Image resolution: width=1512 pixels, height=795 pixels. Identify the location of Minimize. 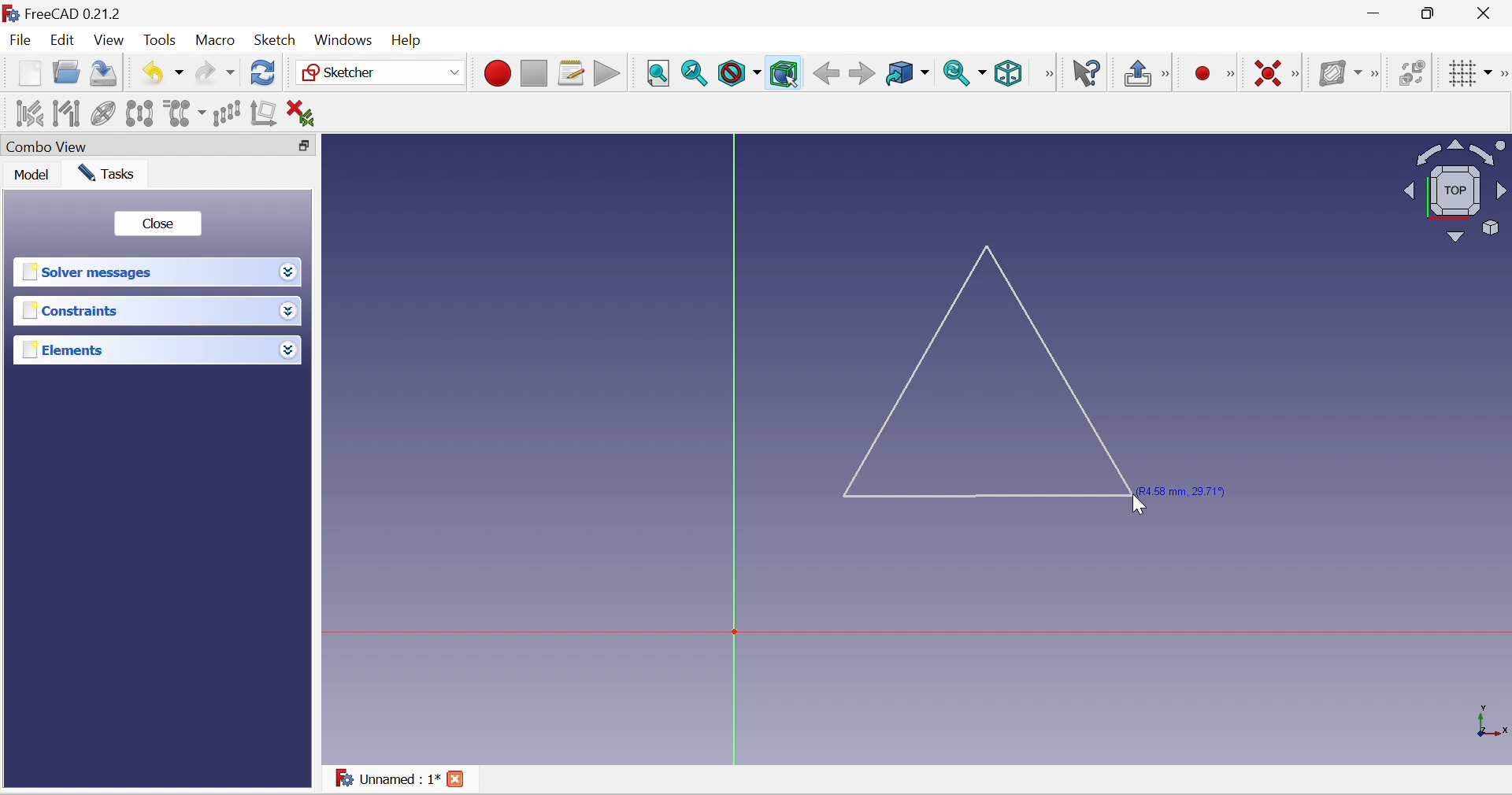
(1373, 13).